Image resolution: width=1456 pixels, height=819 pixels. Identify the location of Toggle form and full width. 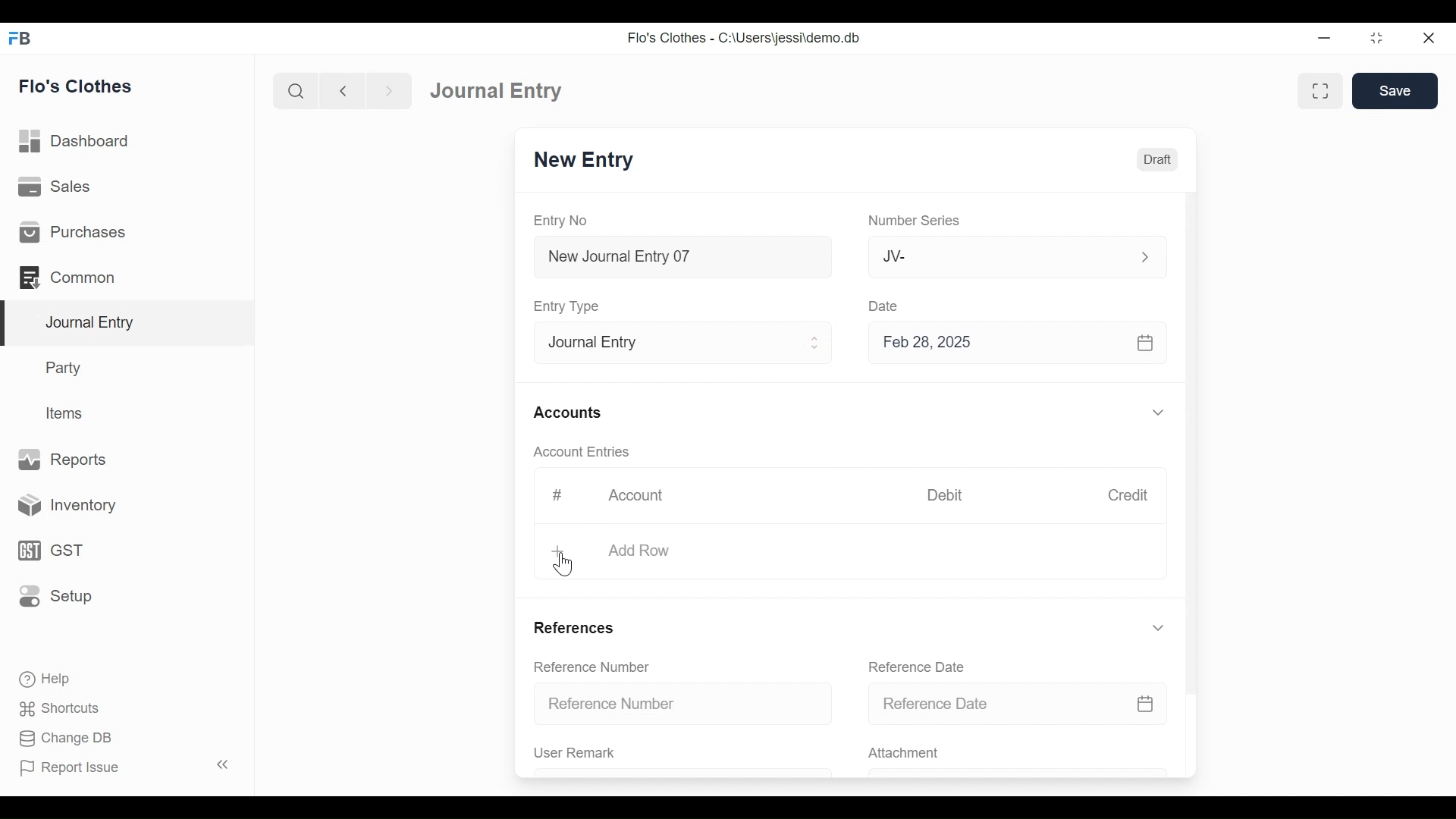
(1320, 92).